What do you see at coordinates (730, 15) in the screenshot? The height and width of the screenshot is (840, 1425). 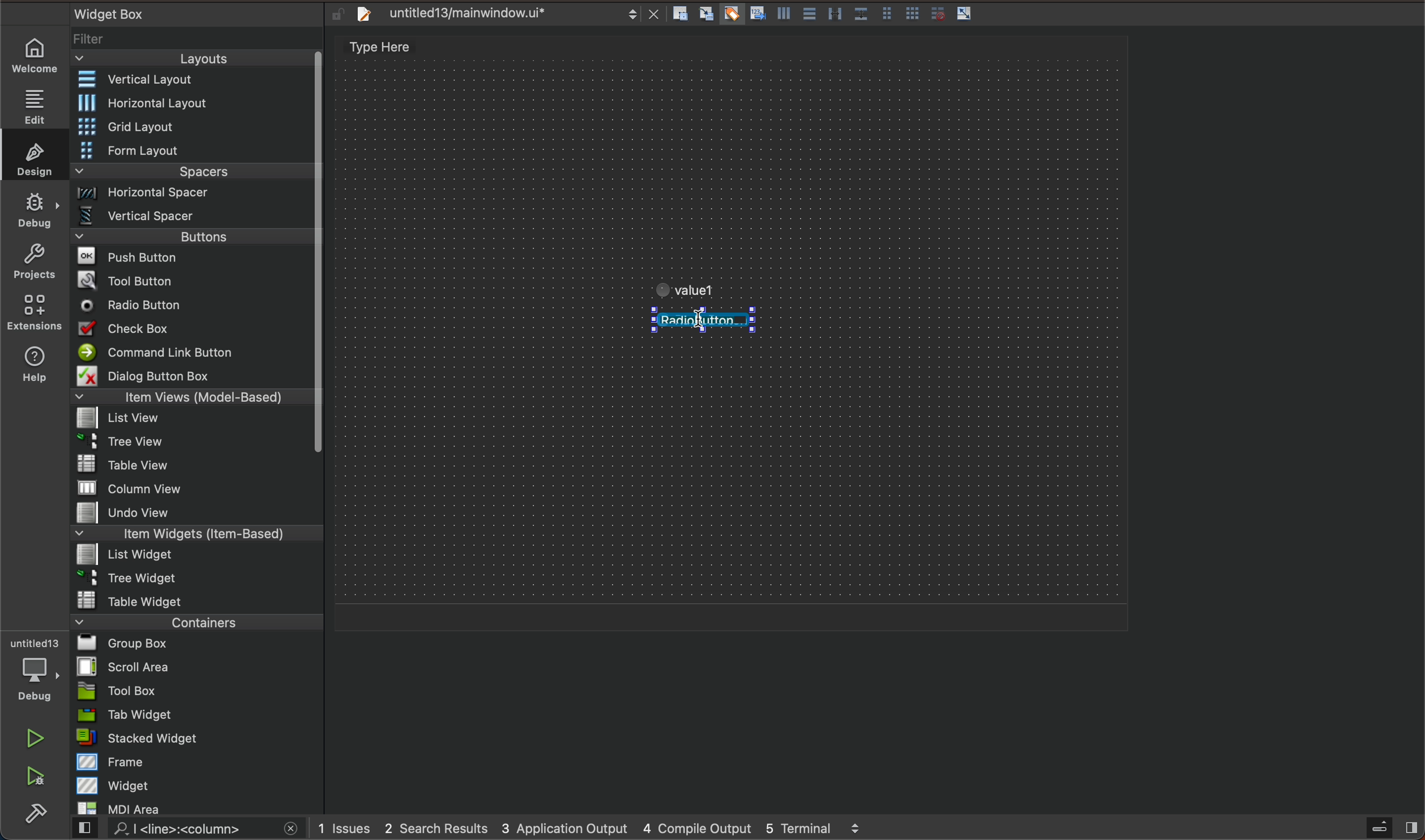 I see `` at bounding box center [730, 15].